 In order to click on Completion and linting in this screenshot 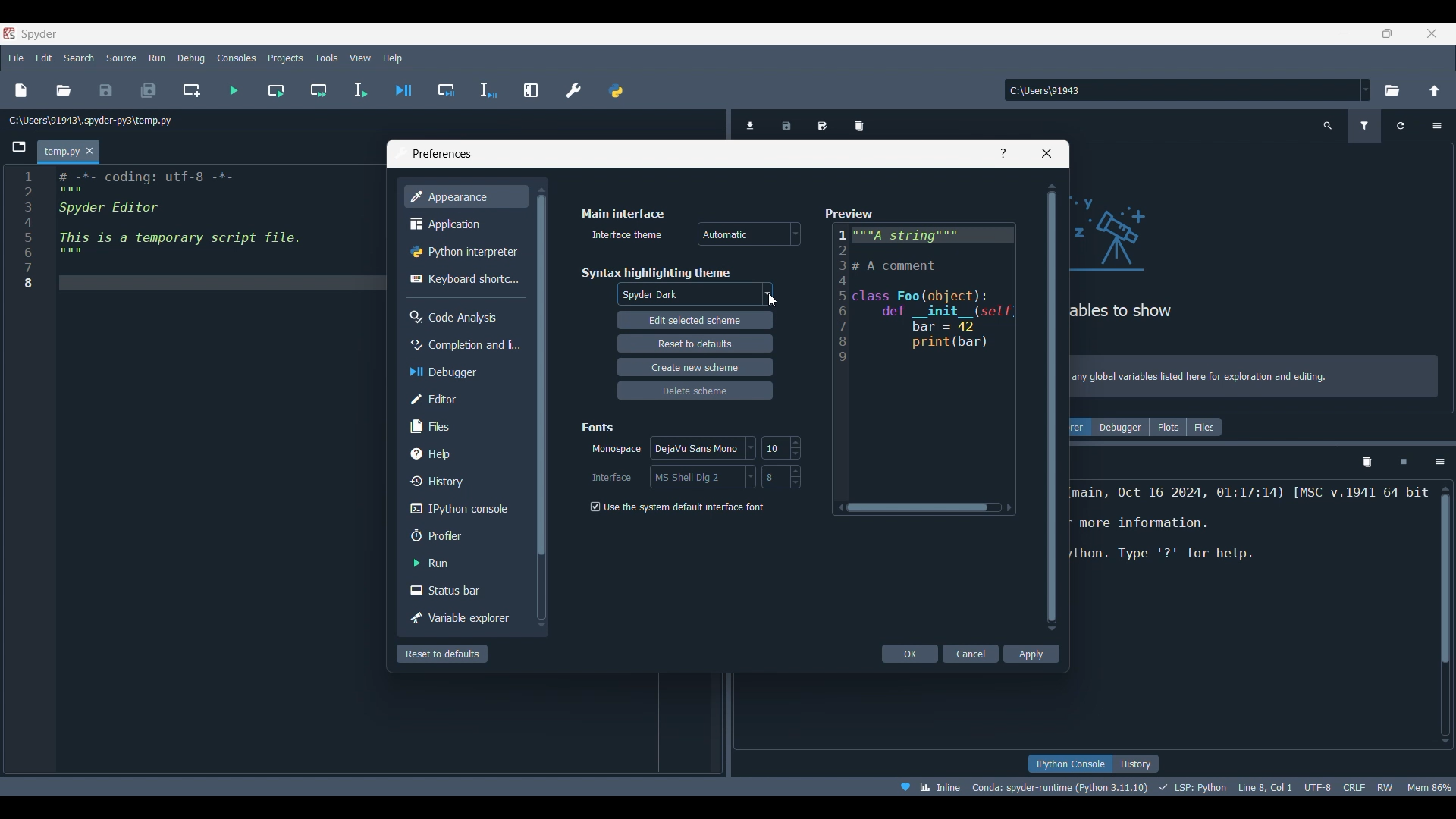, I will do `click(463, 344)`.